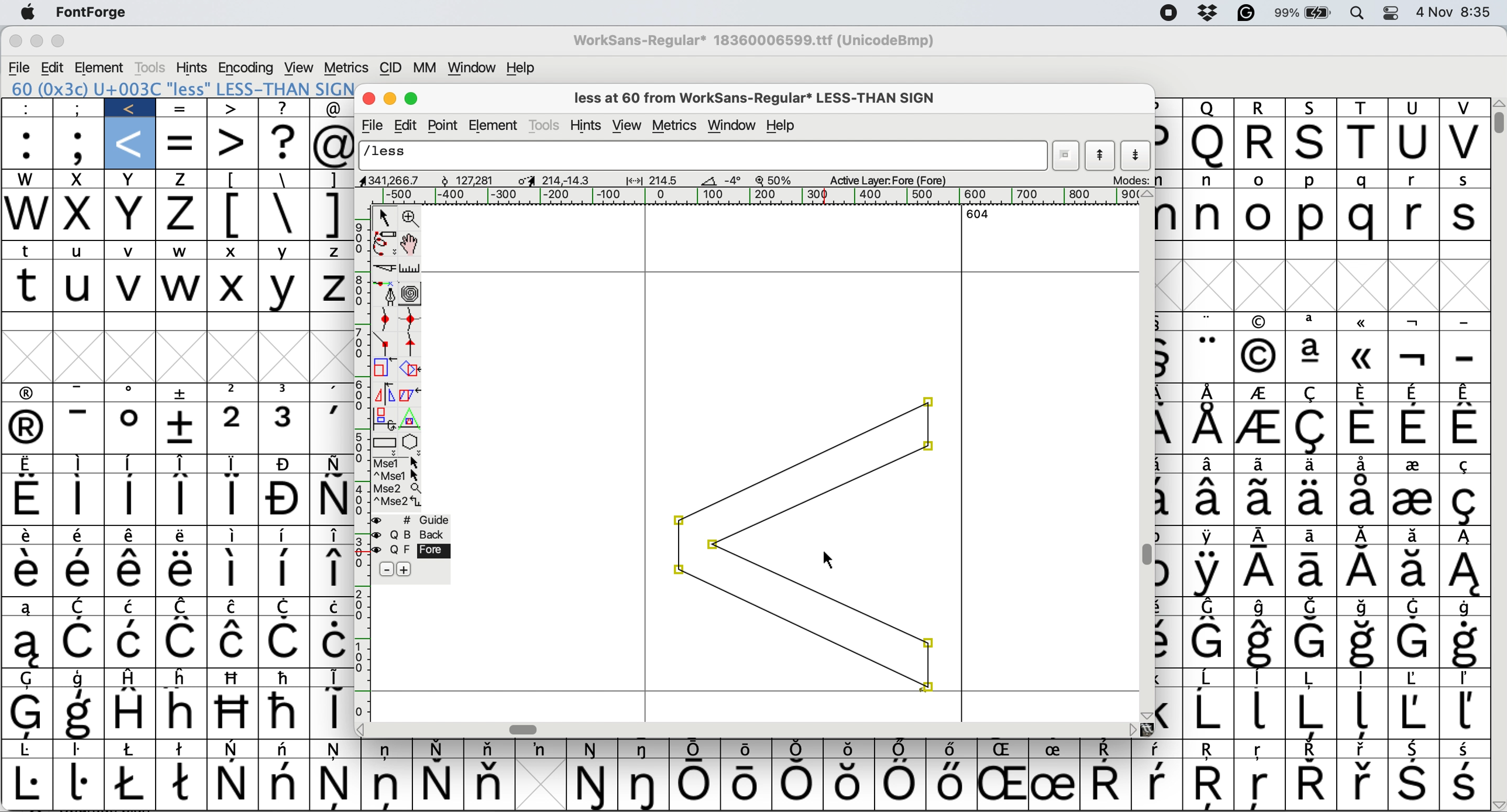 The image size is (1507, 812). What do you see at coordinates (184, 748) in the screenshot?
I see `Symbol` at bounding box center [184, 748].